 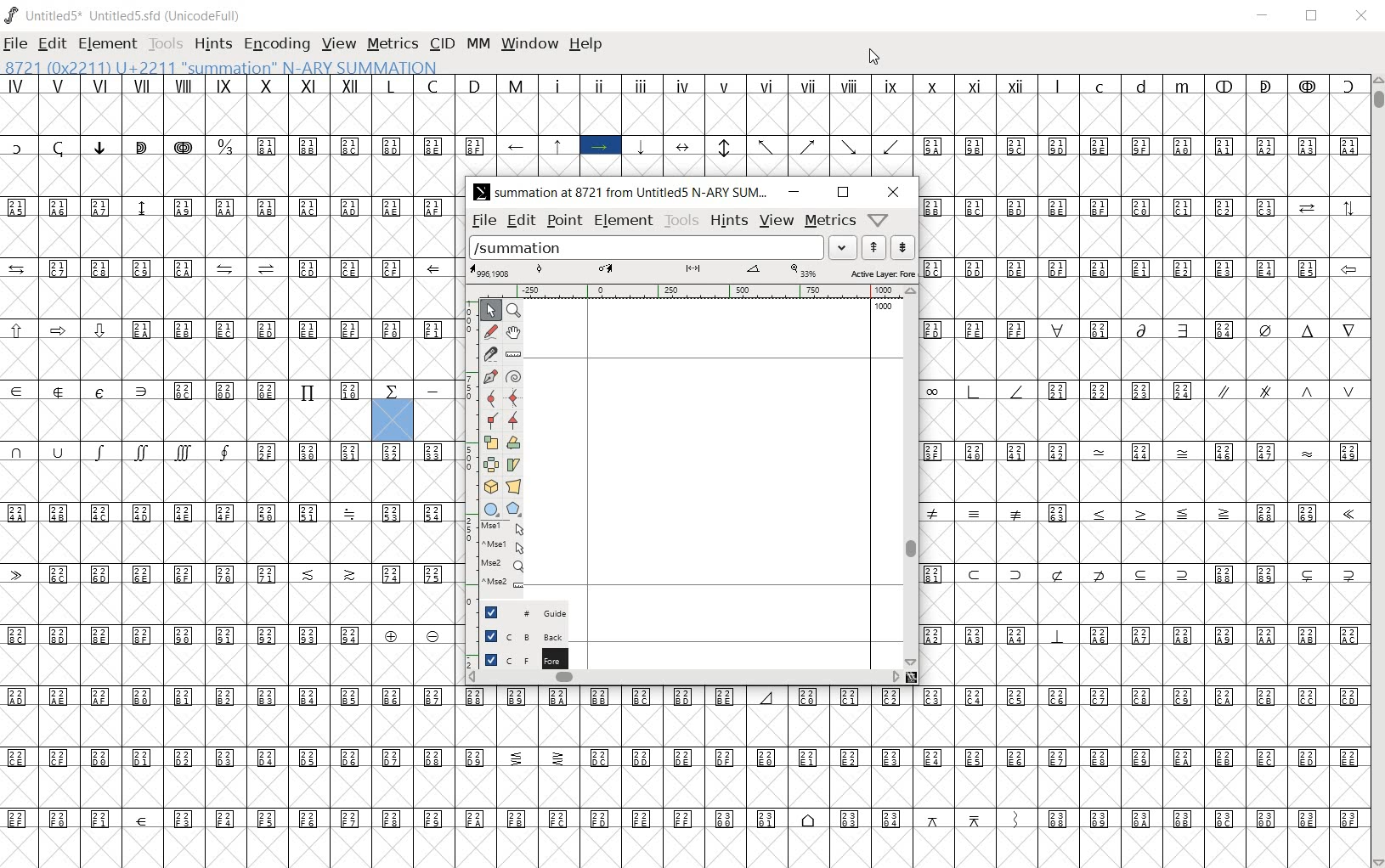 What do you see at coordinates (589, 46) in the screenshot?
I see `HELP` at bounding box center [589, 46].